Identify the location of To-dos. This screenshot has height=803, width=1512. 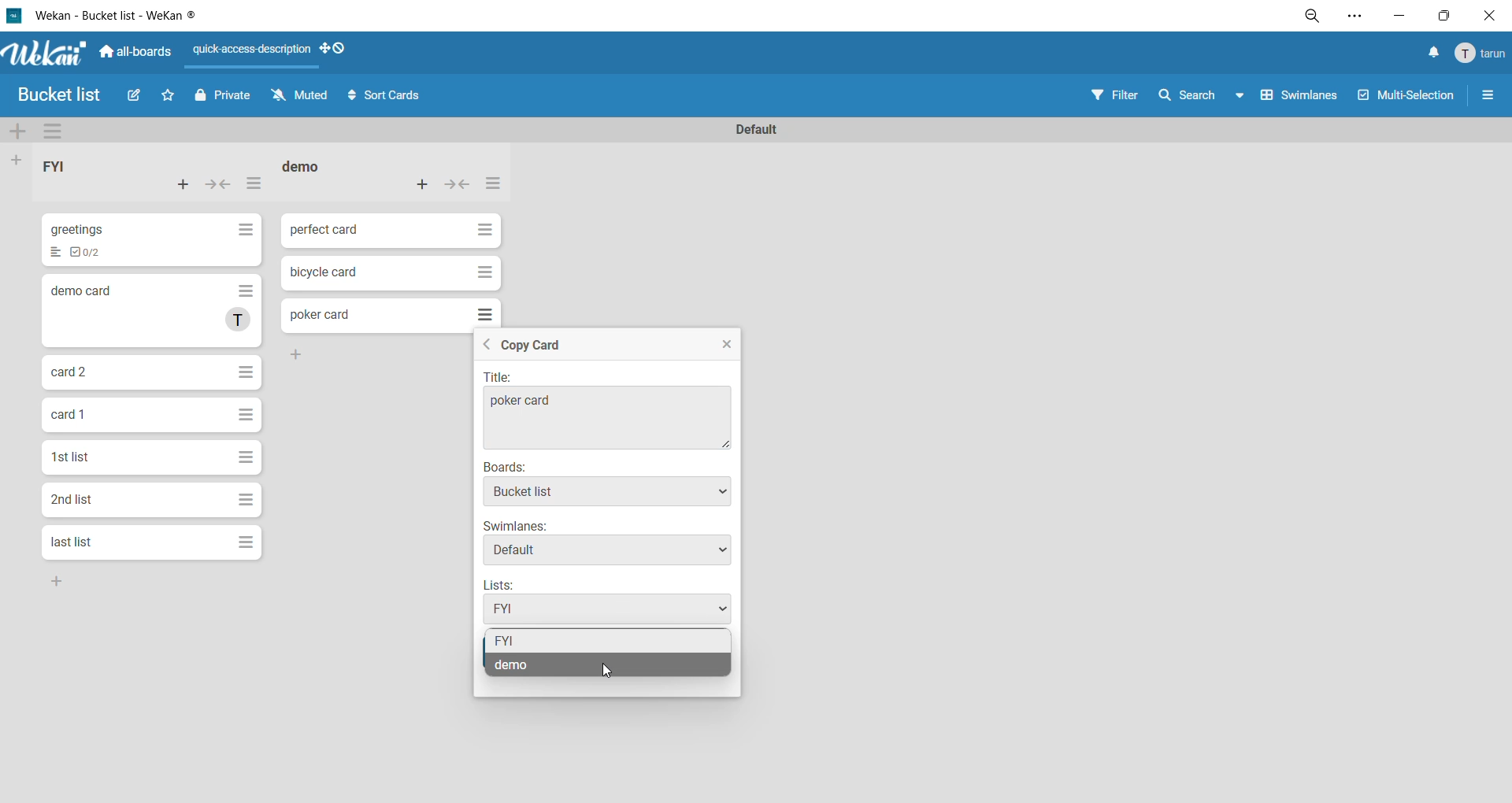
(88, 251).